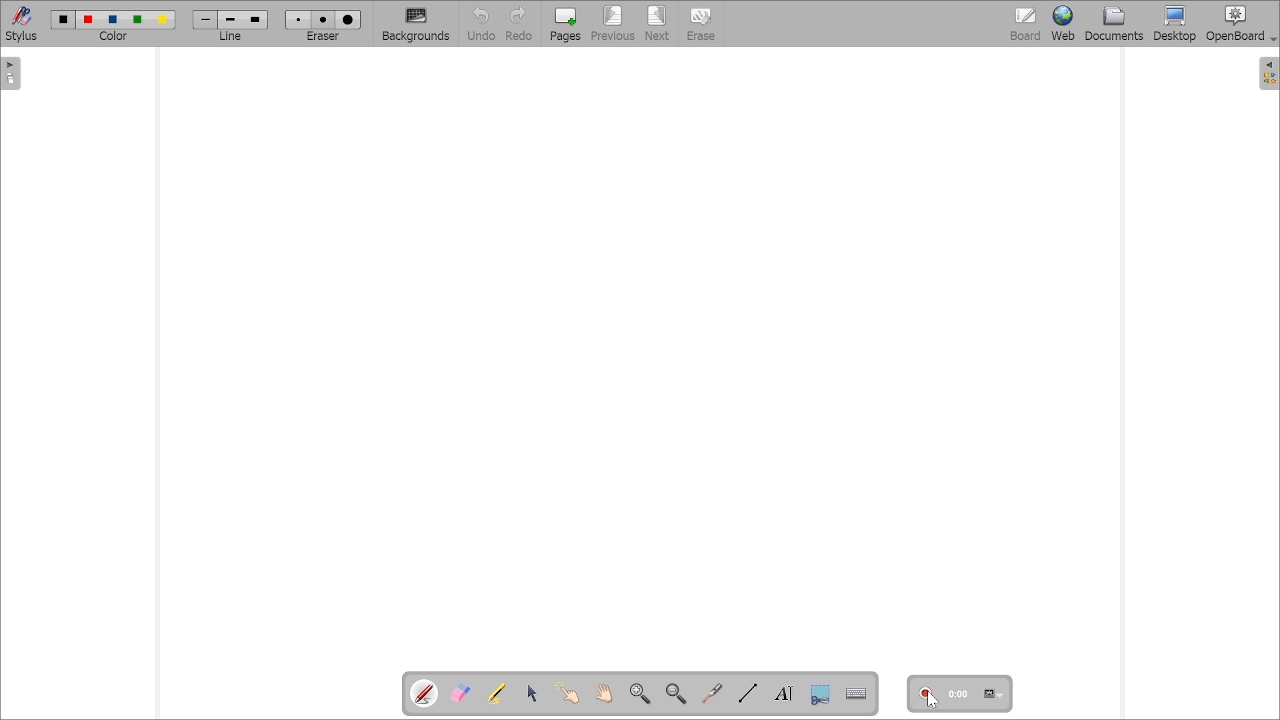  I want to click on , so click(478, 24).